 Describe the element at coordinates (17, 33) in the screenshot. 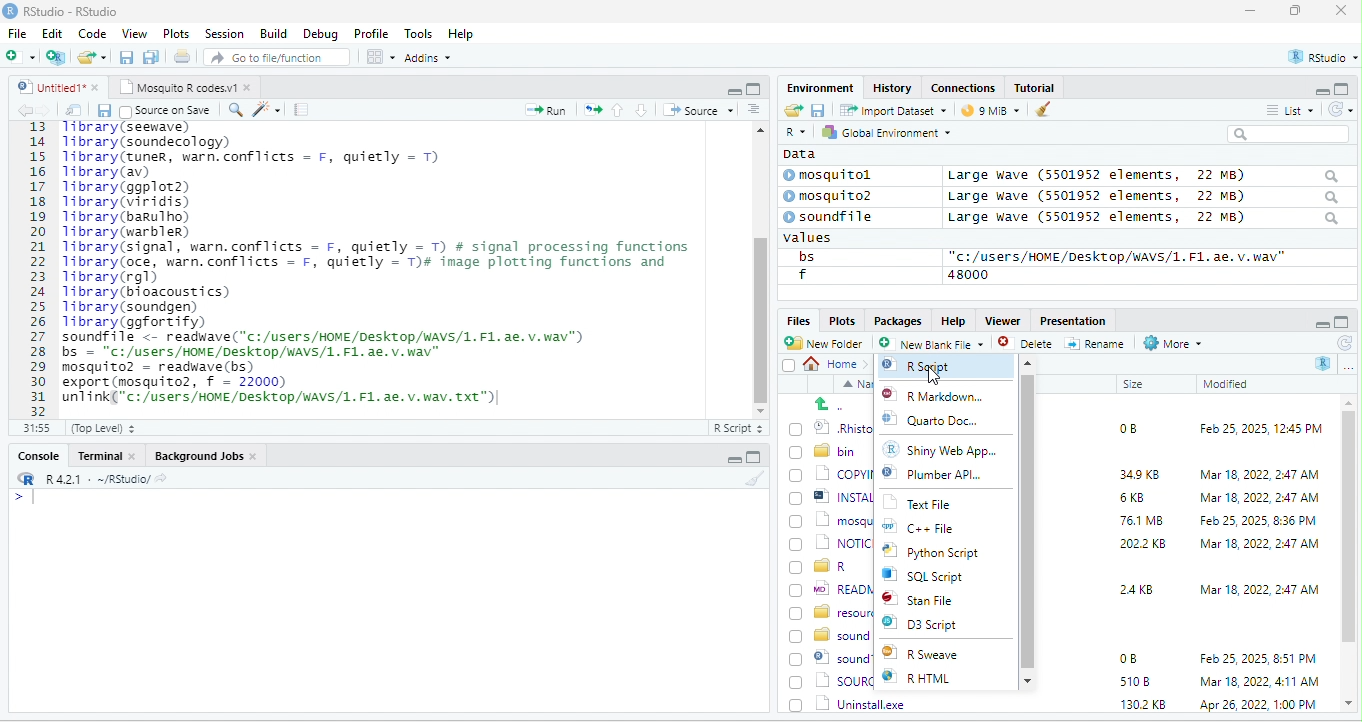

I see `File` at that location.